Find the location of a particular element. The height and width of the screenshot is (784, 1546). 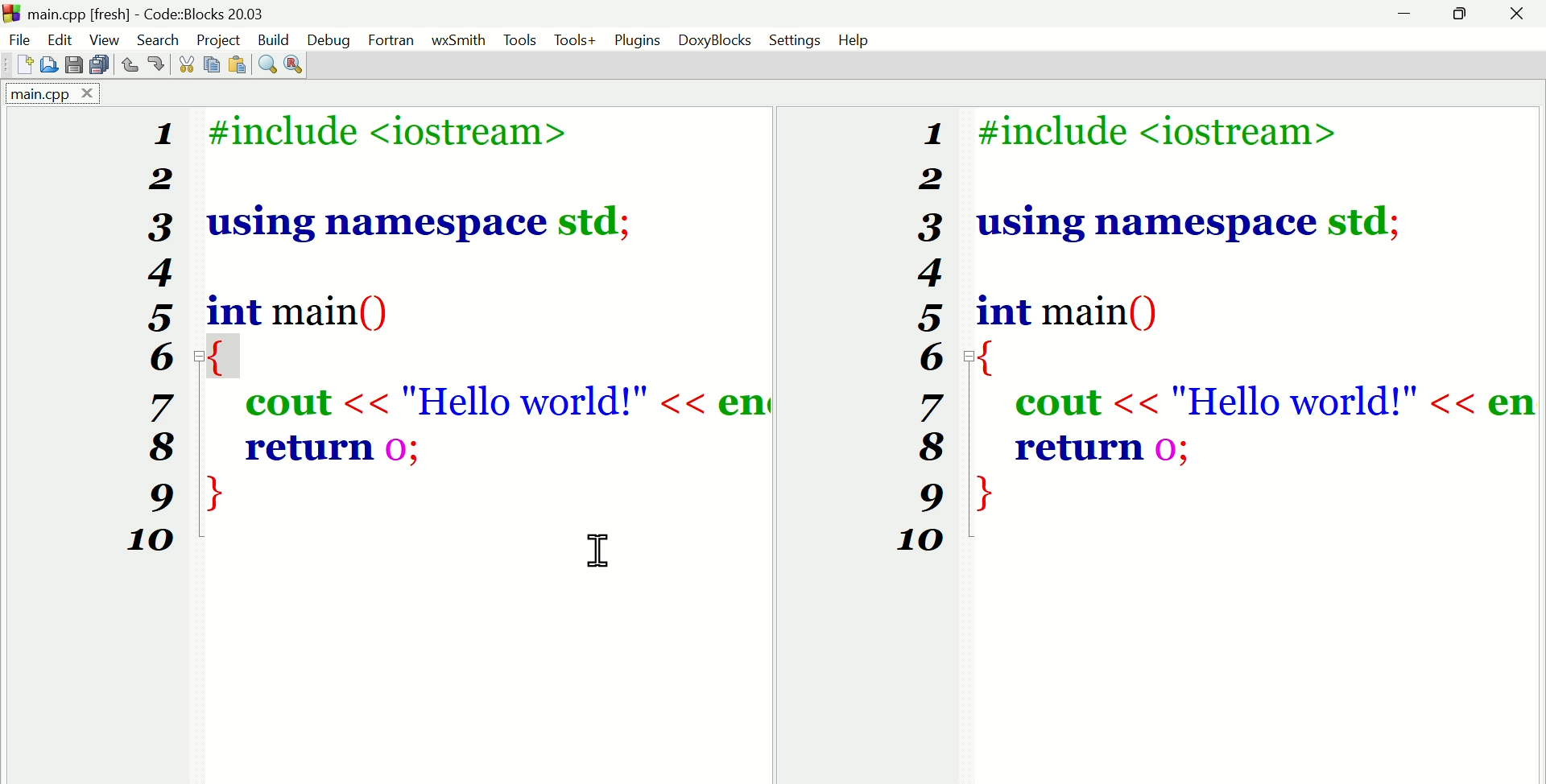

View is located at coordinates (107, 39).